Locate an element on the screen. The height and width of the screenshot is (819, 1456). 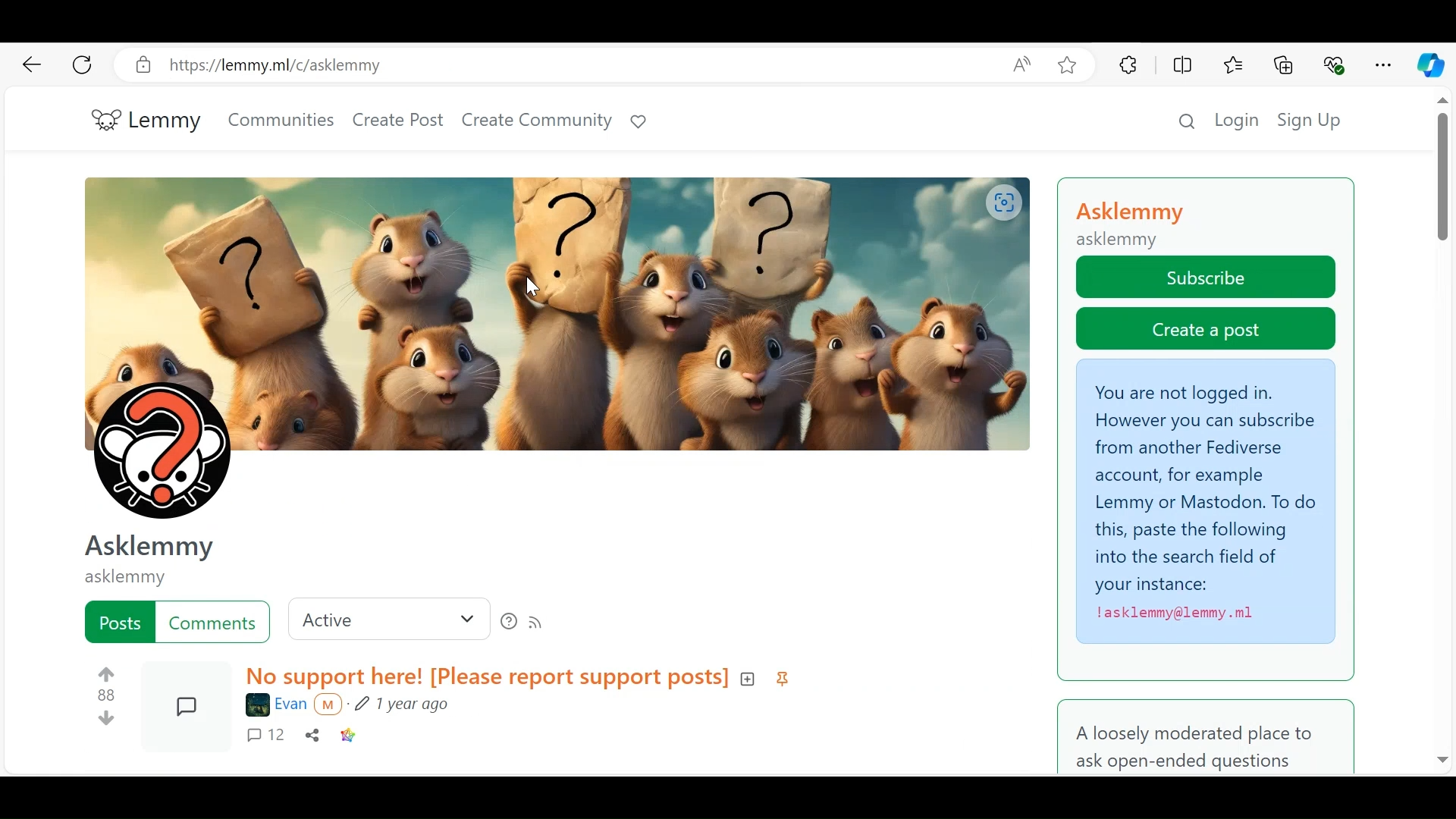
Add this page to favorites is located at coordinates (1068, 65).